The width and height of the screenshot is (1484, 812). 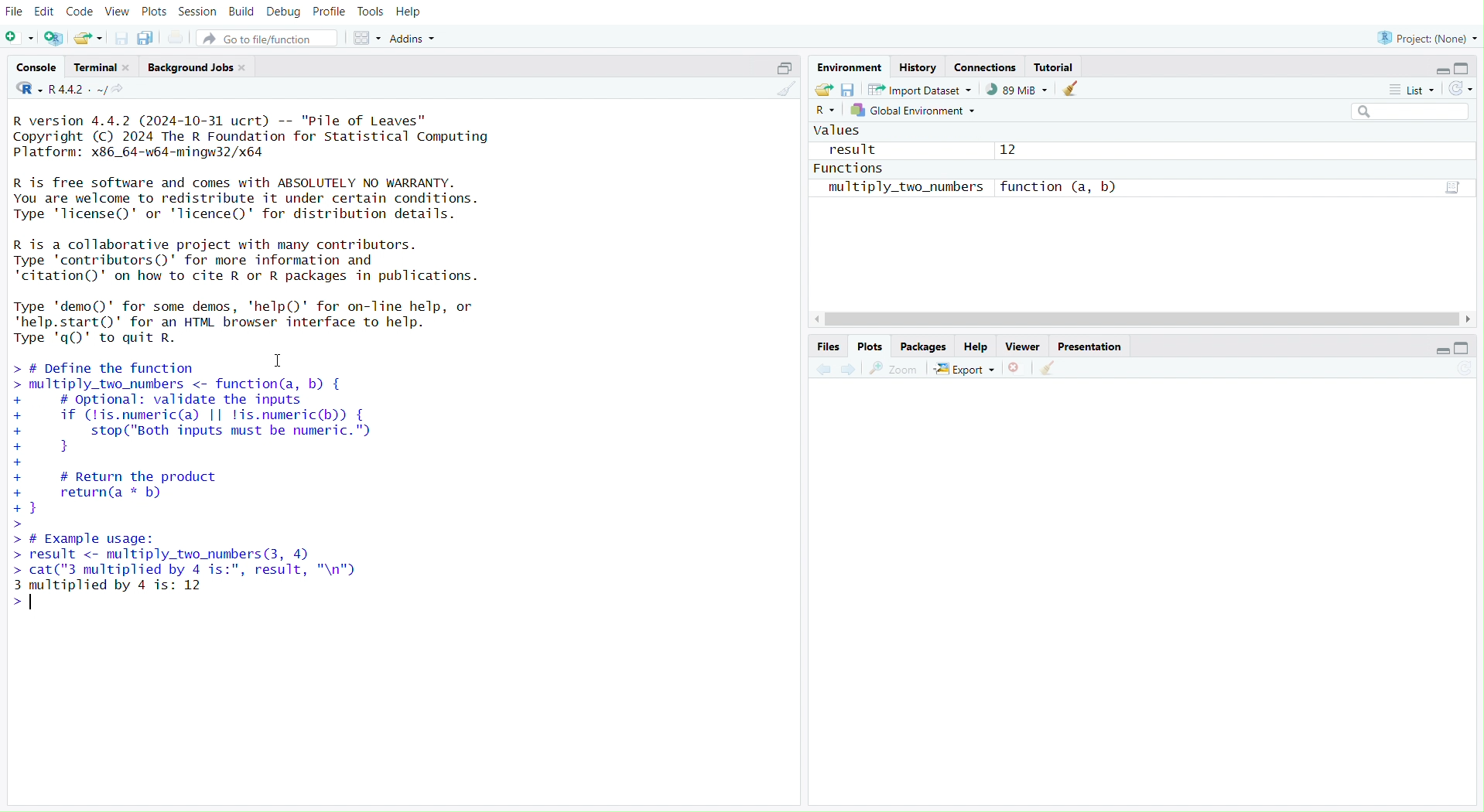 What do you see at coordinates (1442, 70) in the screenshot?
I see `Minimize` at bounding box center [1442, 70].